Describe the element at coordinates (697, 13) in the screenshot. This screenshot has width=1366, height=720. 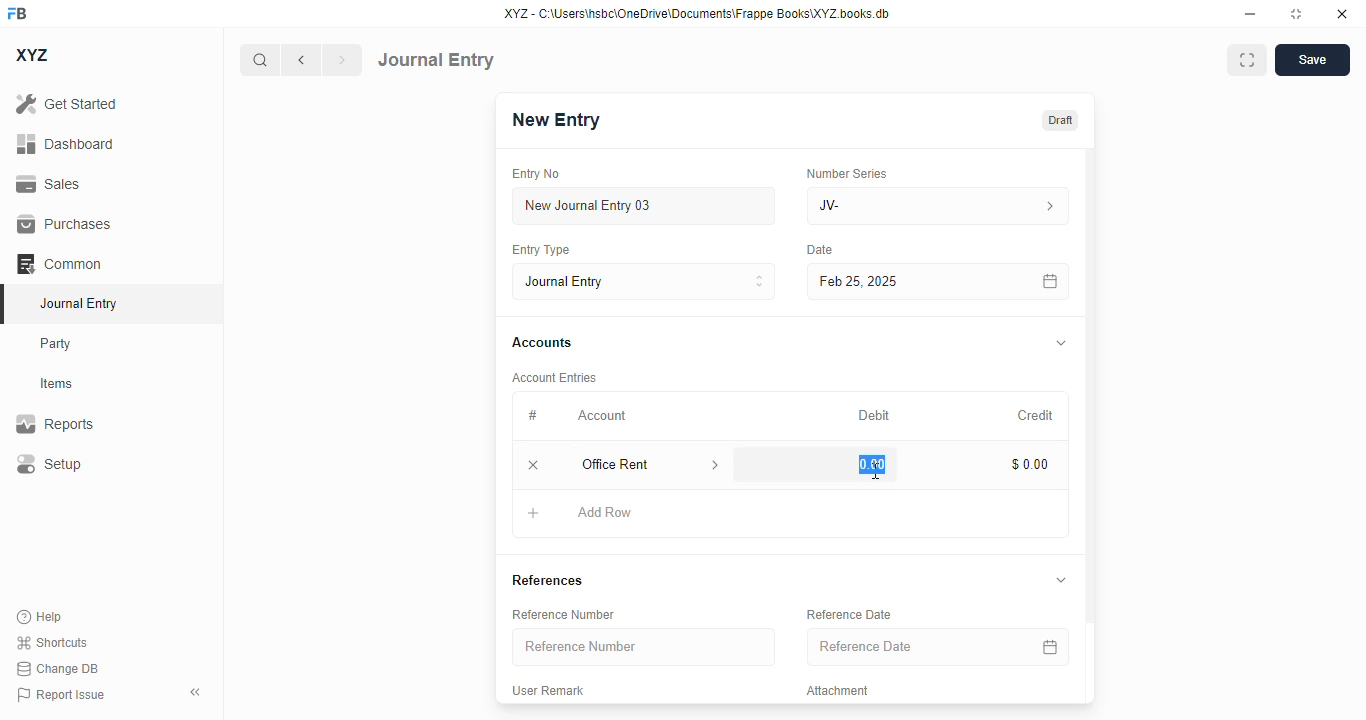
I see `XYZ - C:\Users\hsbc\OneDrive\Documents\Frappe Books\XYZ books.db` at that location.